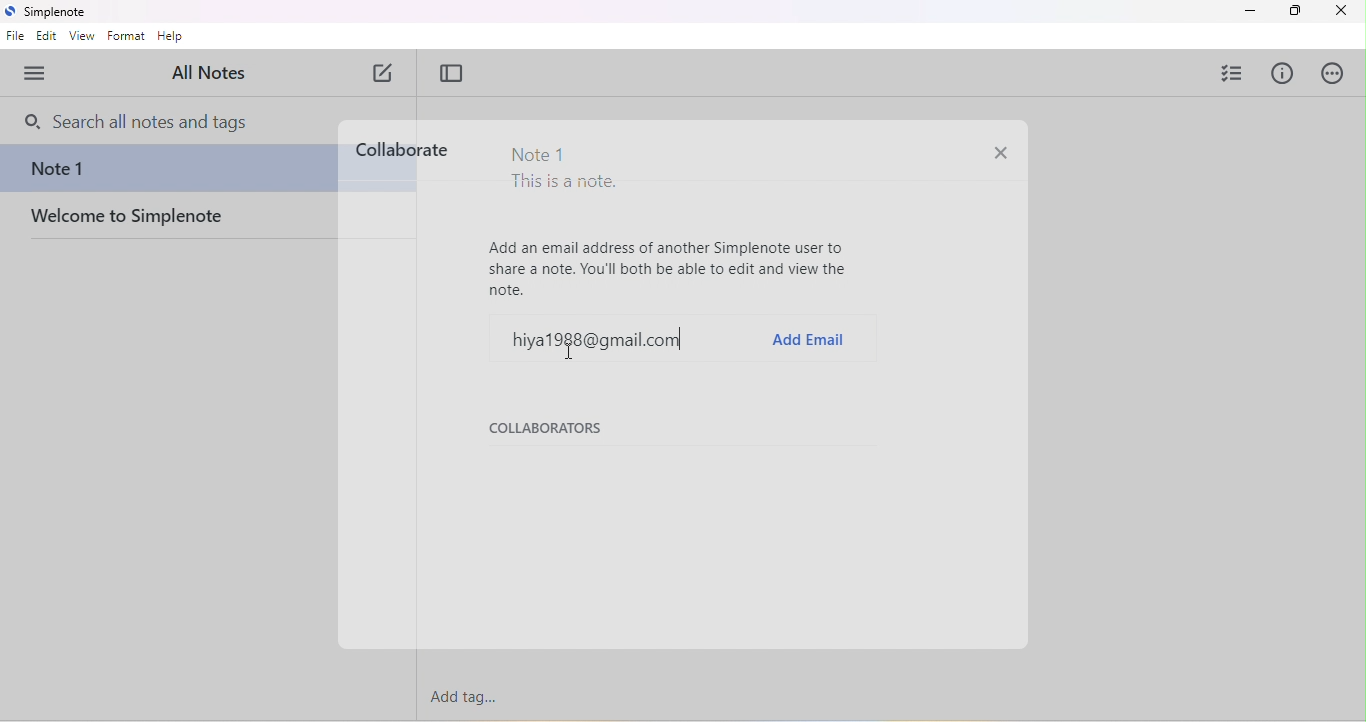 Image resolution: width=1366 pixels, height=722 pixels. Describe the element at coordinates (211, 74) in the screenshot. I see `all notes` at that location.